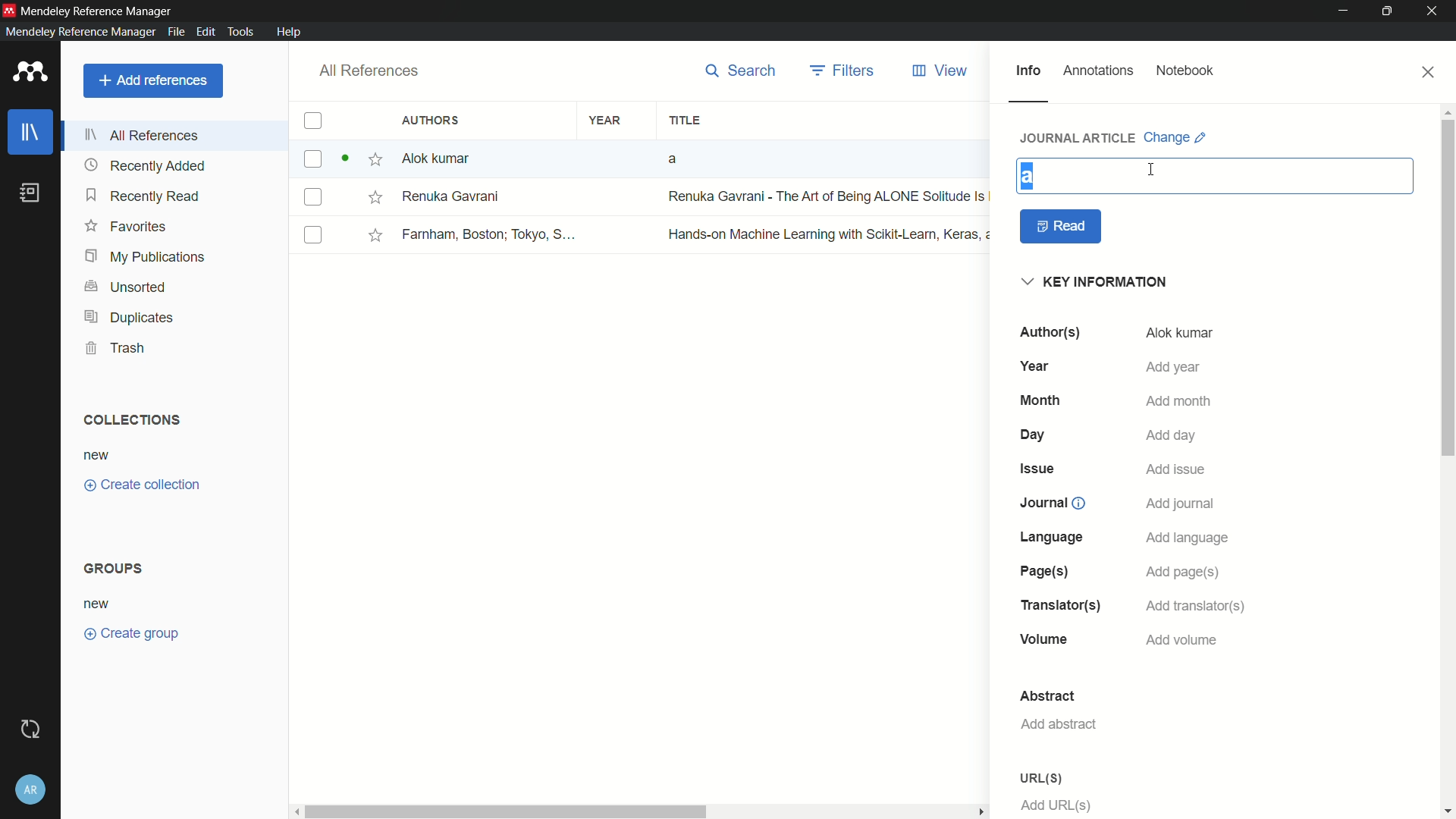 This screenshot has width=1456, height=819. I want to click on close, so click(1429, 72).